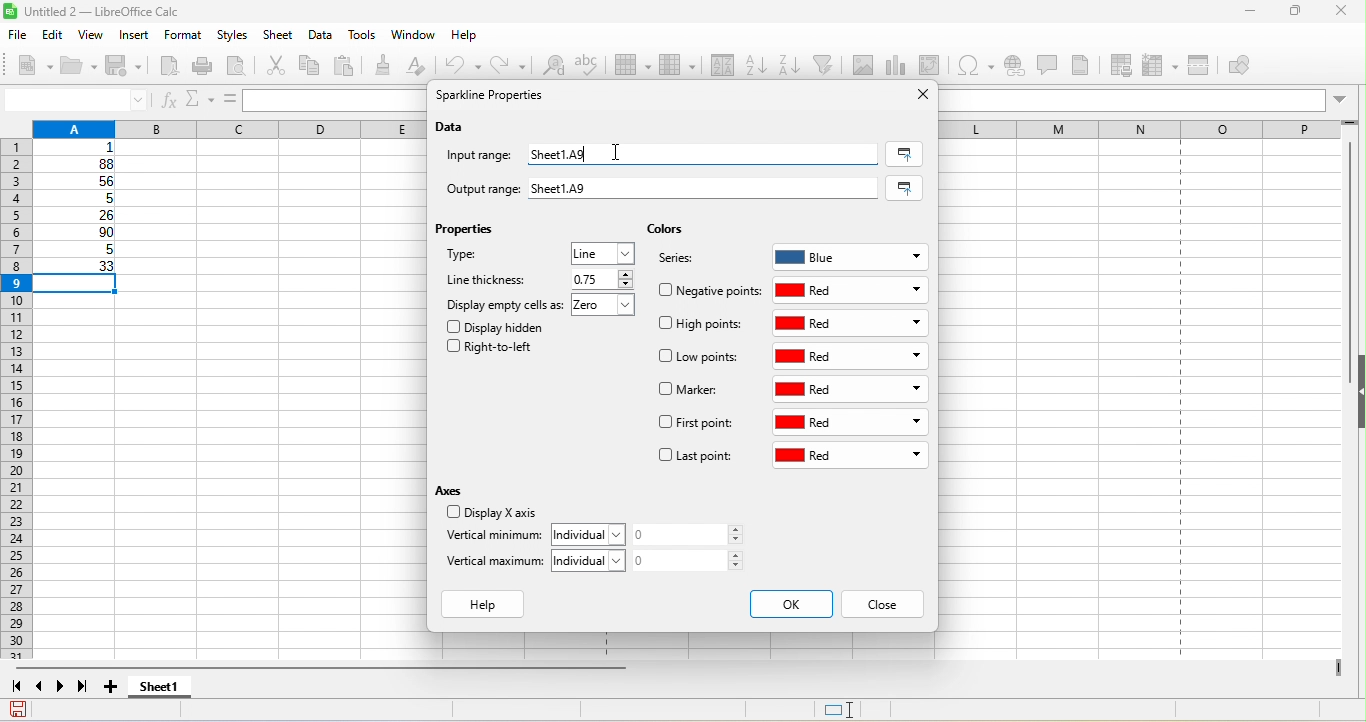  I want to click on red, so click(850, 457).